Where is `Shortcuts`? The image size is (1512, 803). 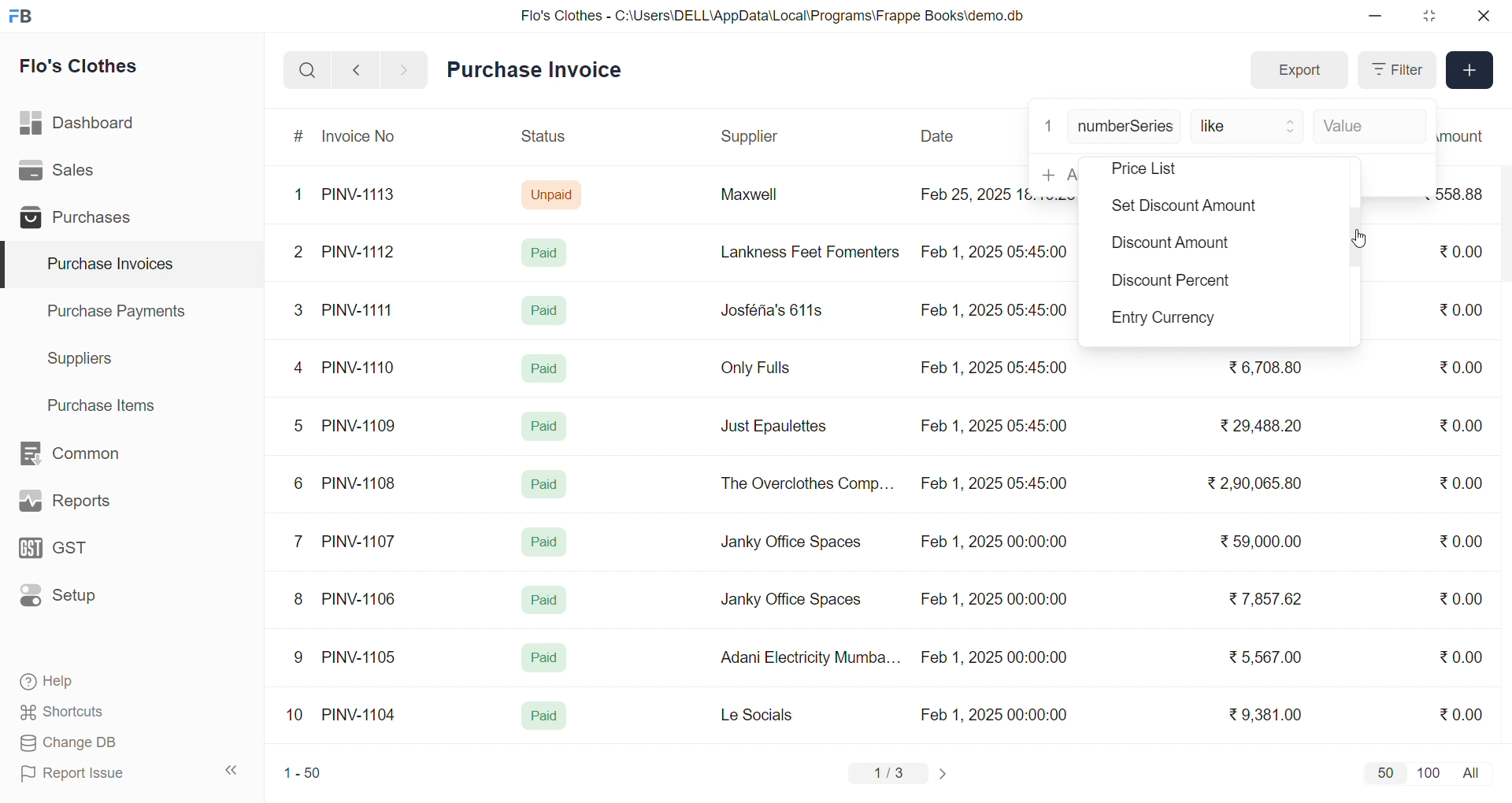 Shortcuts is located at coordinates (99, 712).